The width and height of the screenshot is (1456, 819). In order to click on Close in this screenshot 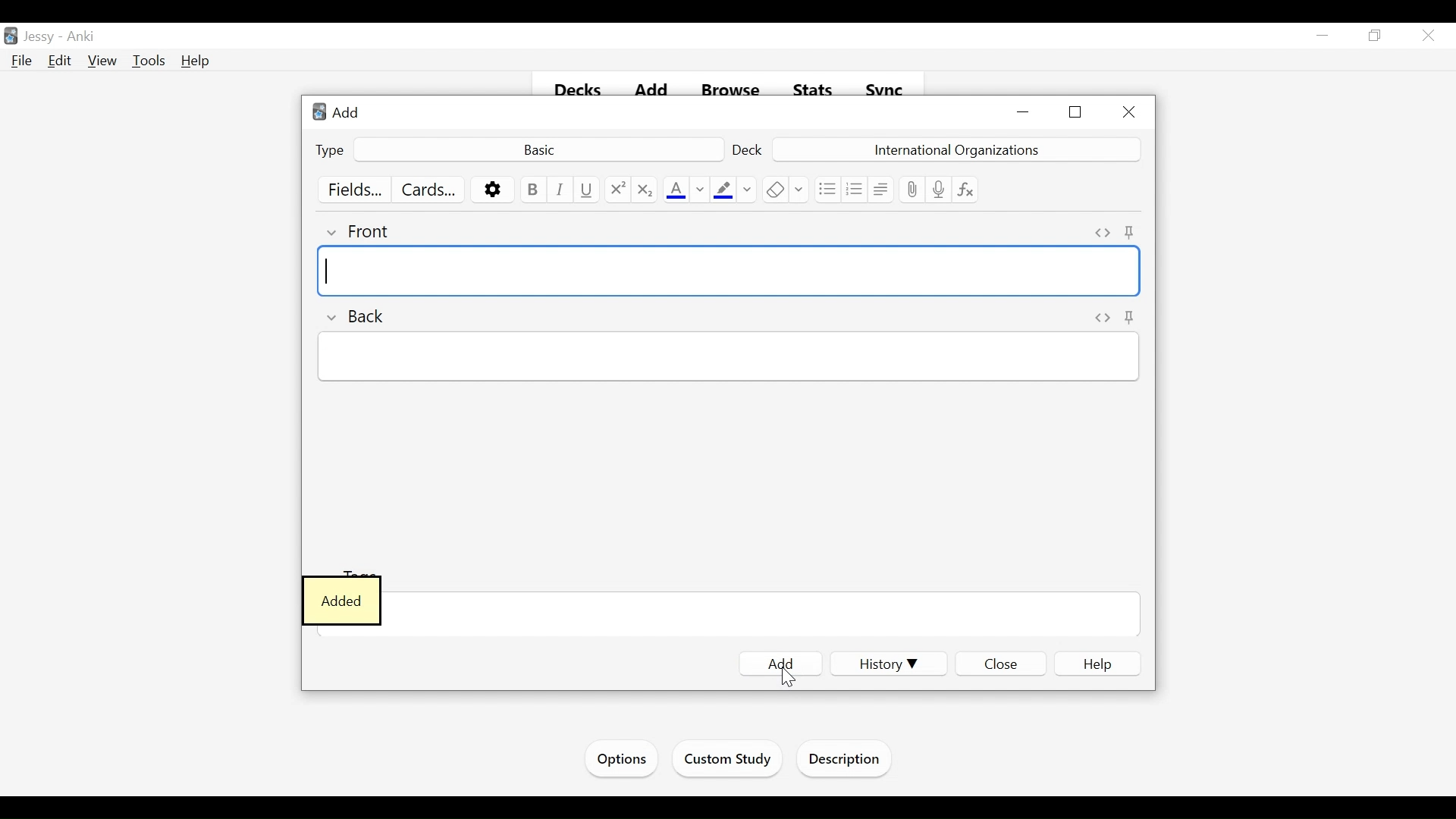, I will do `click(1430, 35)`.